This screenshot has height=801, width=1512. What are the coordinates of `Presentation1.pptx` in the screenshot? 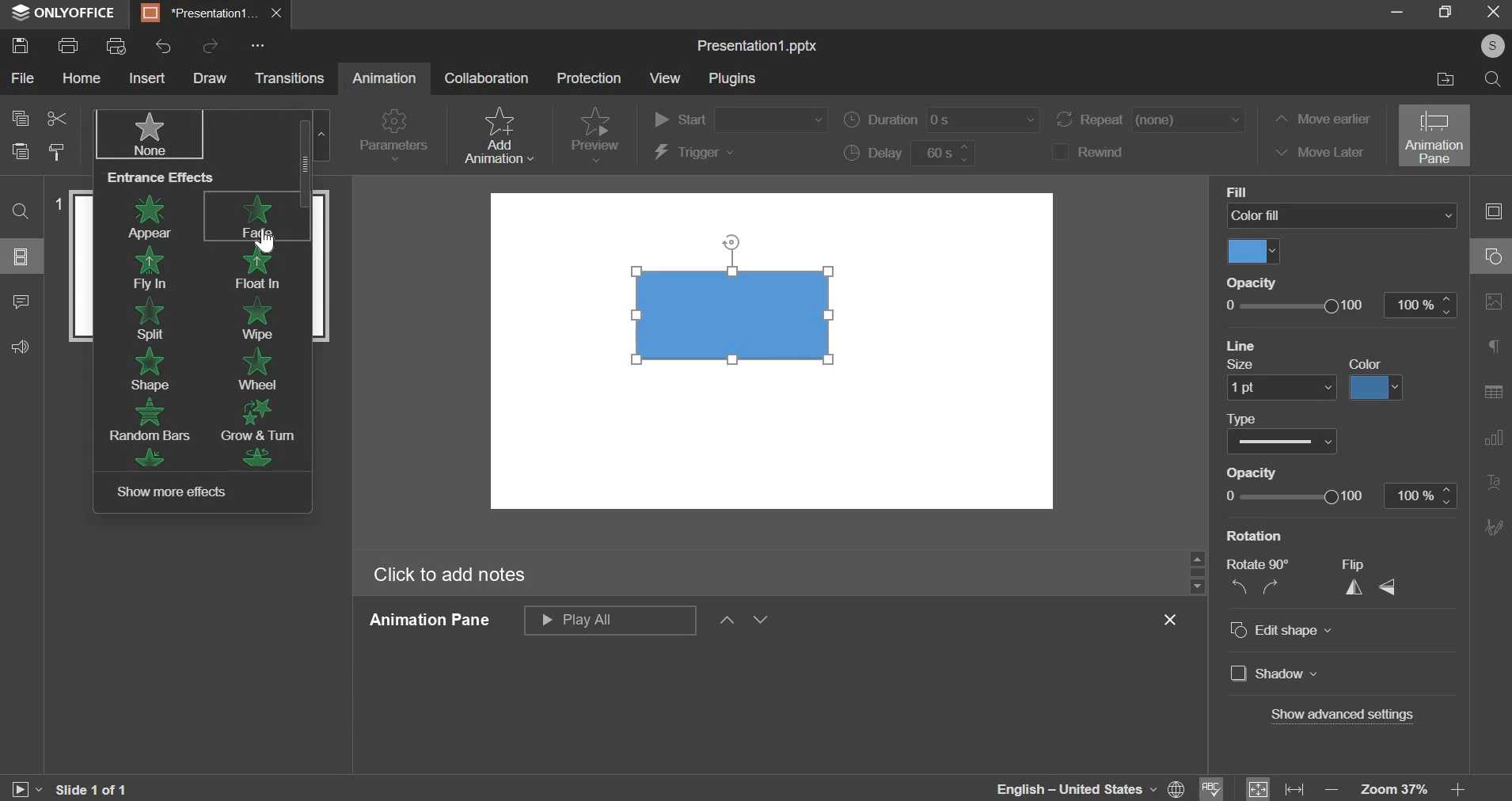 It's located at (762, 44).